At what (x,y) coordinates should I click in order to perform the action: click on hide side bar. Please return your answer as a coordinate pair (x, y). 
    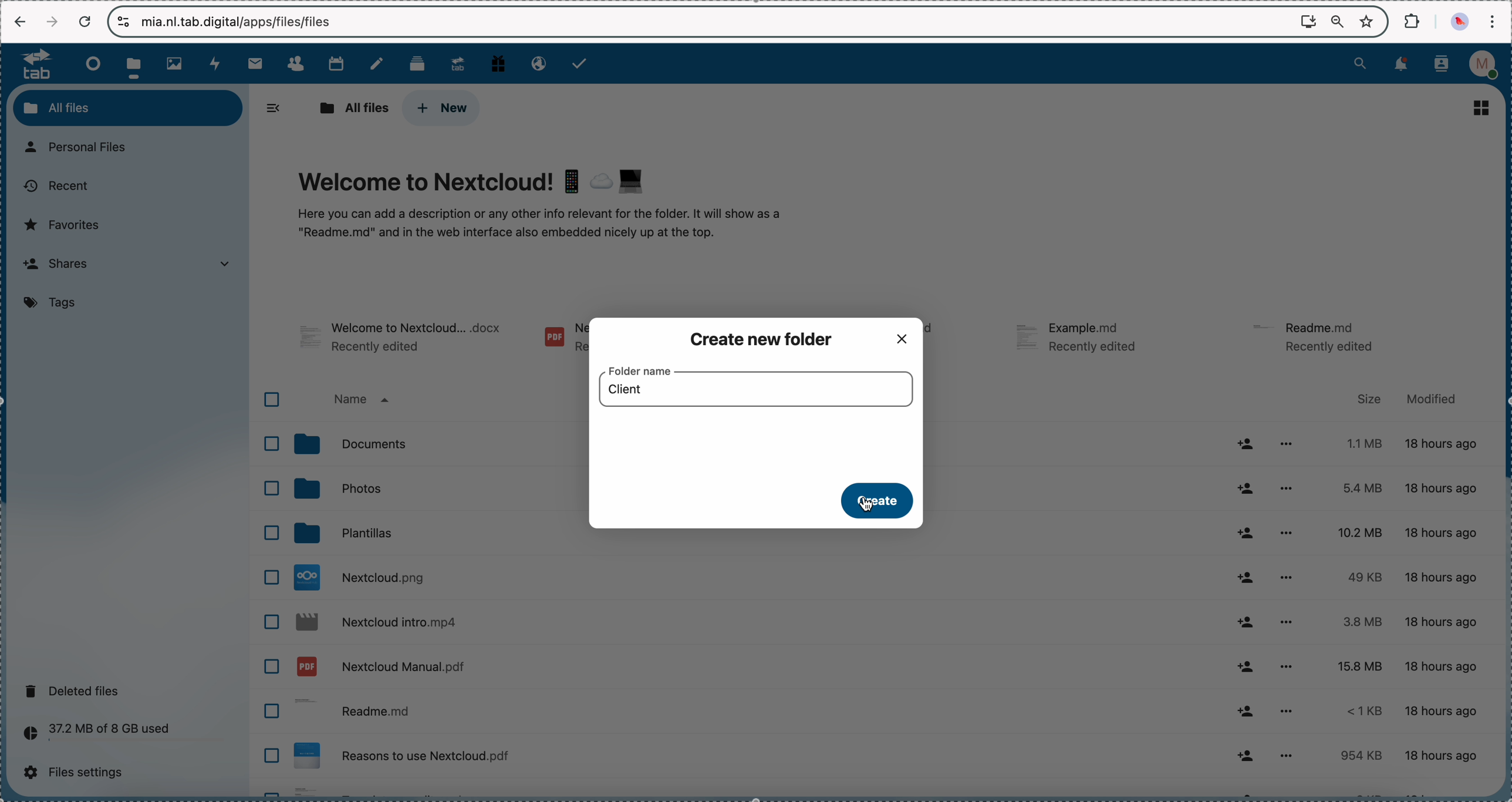
    Looking at the image, I should click on (274, 108).